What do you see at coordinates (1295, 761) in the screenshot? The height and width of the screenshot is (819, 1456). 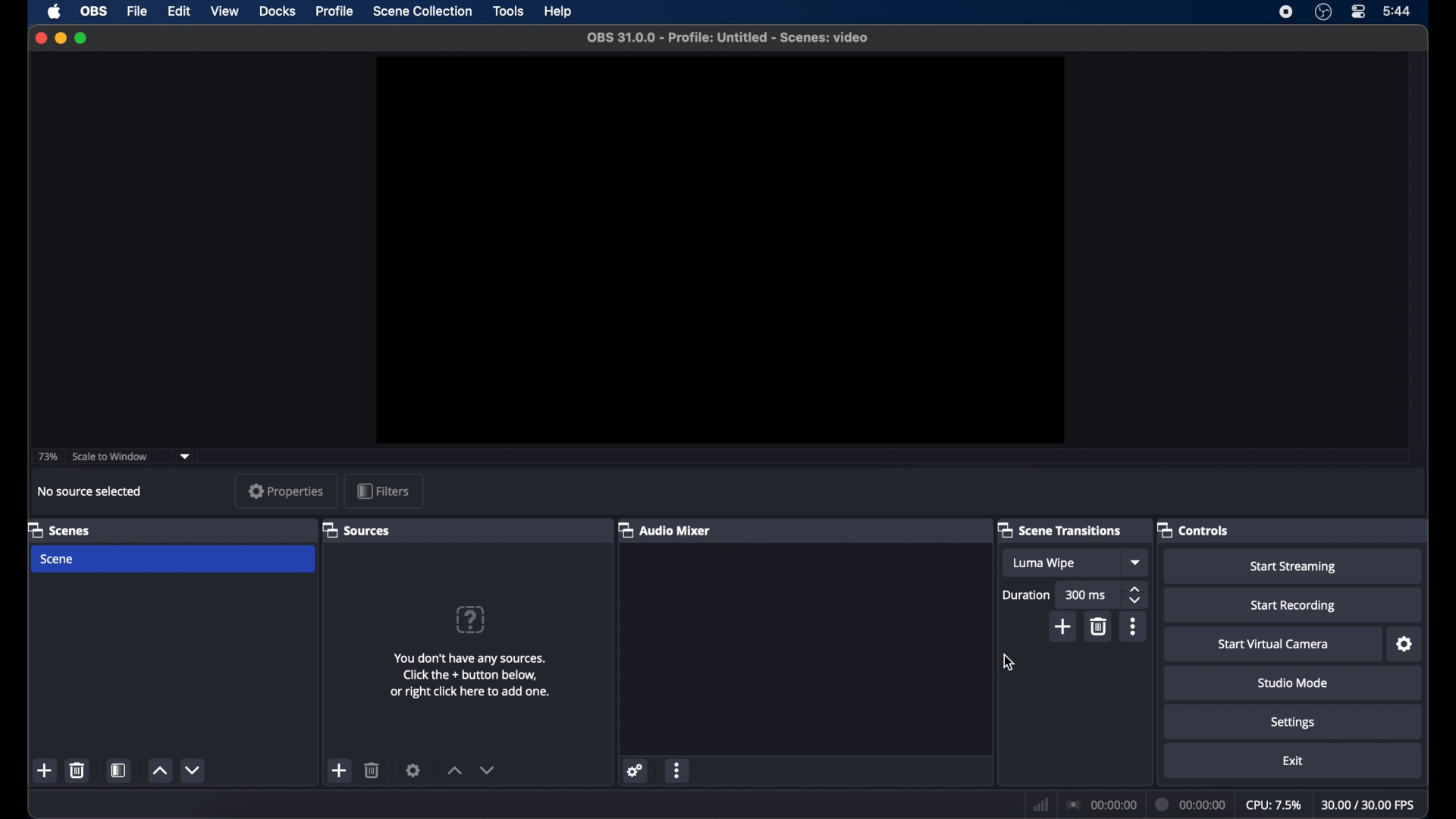 I see `exit` at bounding box center [1295, 761].